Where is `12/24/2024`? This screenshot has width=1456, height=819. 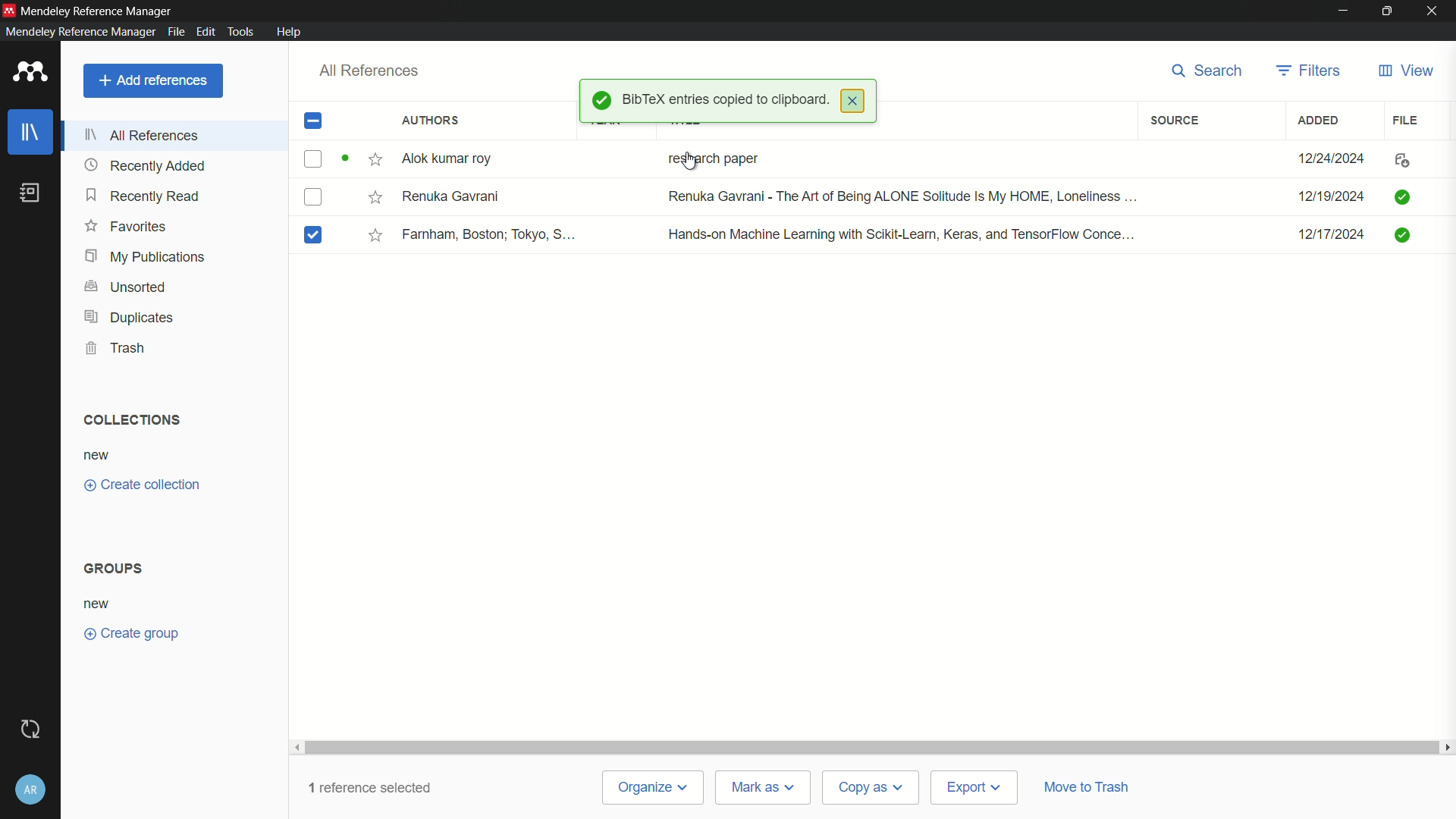
12/24/2024 is located at coordinates (1326, 155).